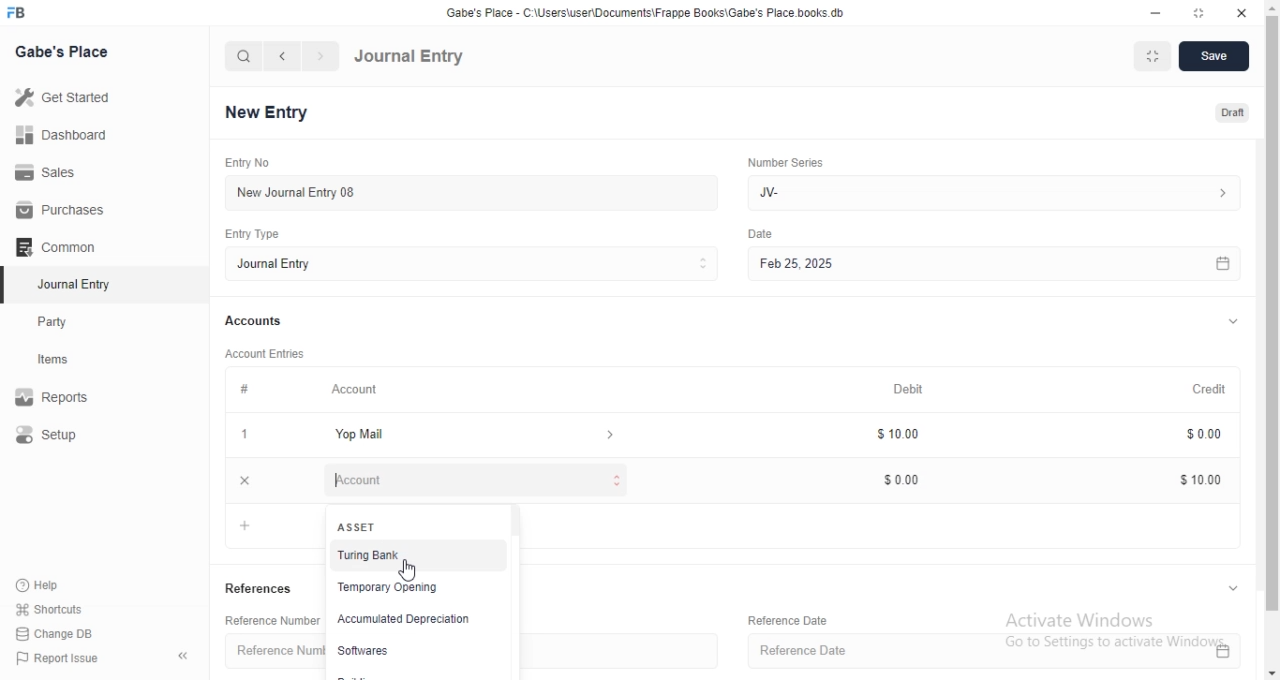  I want to click on ASSET, so click(360, 527).